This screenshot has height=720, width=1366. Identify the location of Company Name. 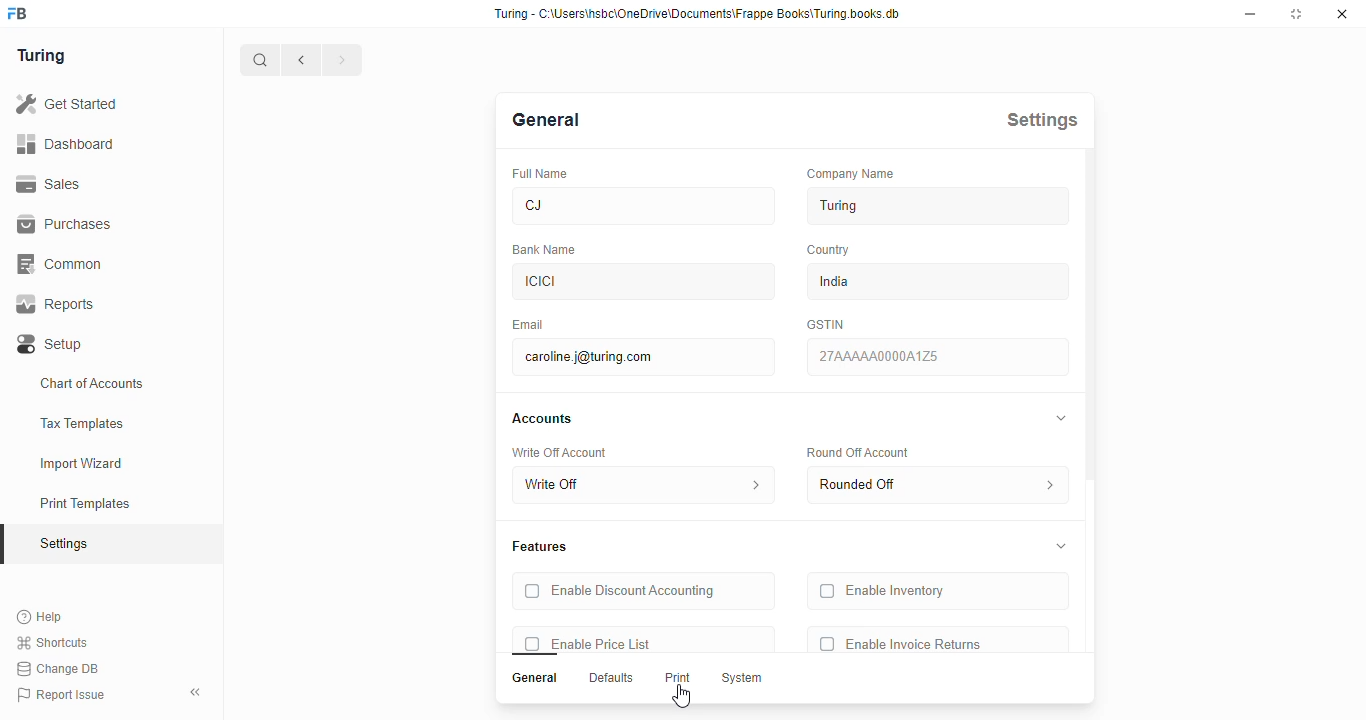
(851, 174).